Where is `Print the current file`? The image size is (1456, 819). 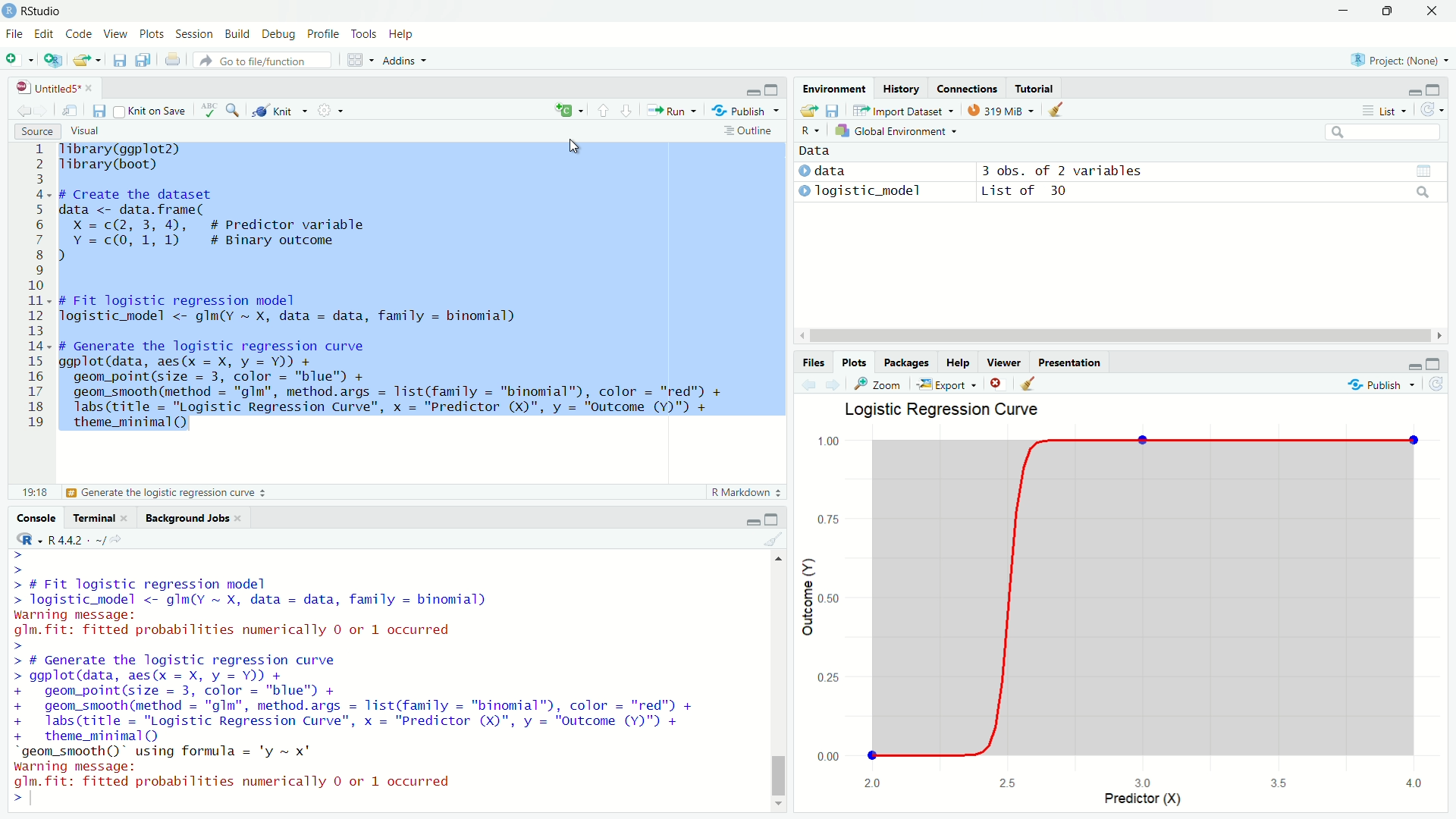
Print the current file is located at coordinates (174, 58).